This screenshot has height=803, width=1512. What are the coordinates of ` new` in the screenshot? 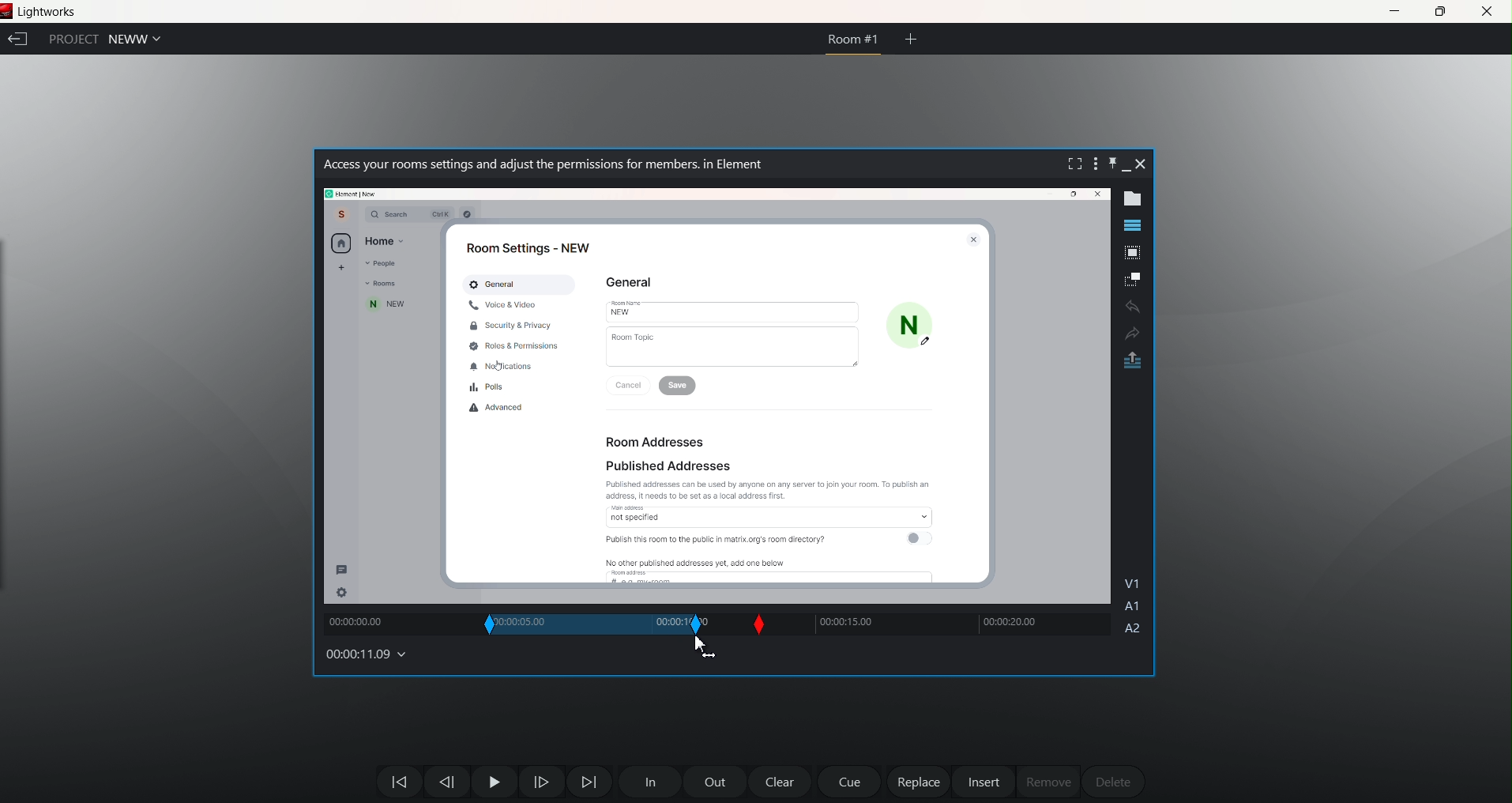 It's located at (387, 305).